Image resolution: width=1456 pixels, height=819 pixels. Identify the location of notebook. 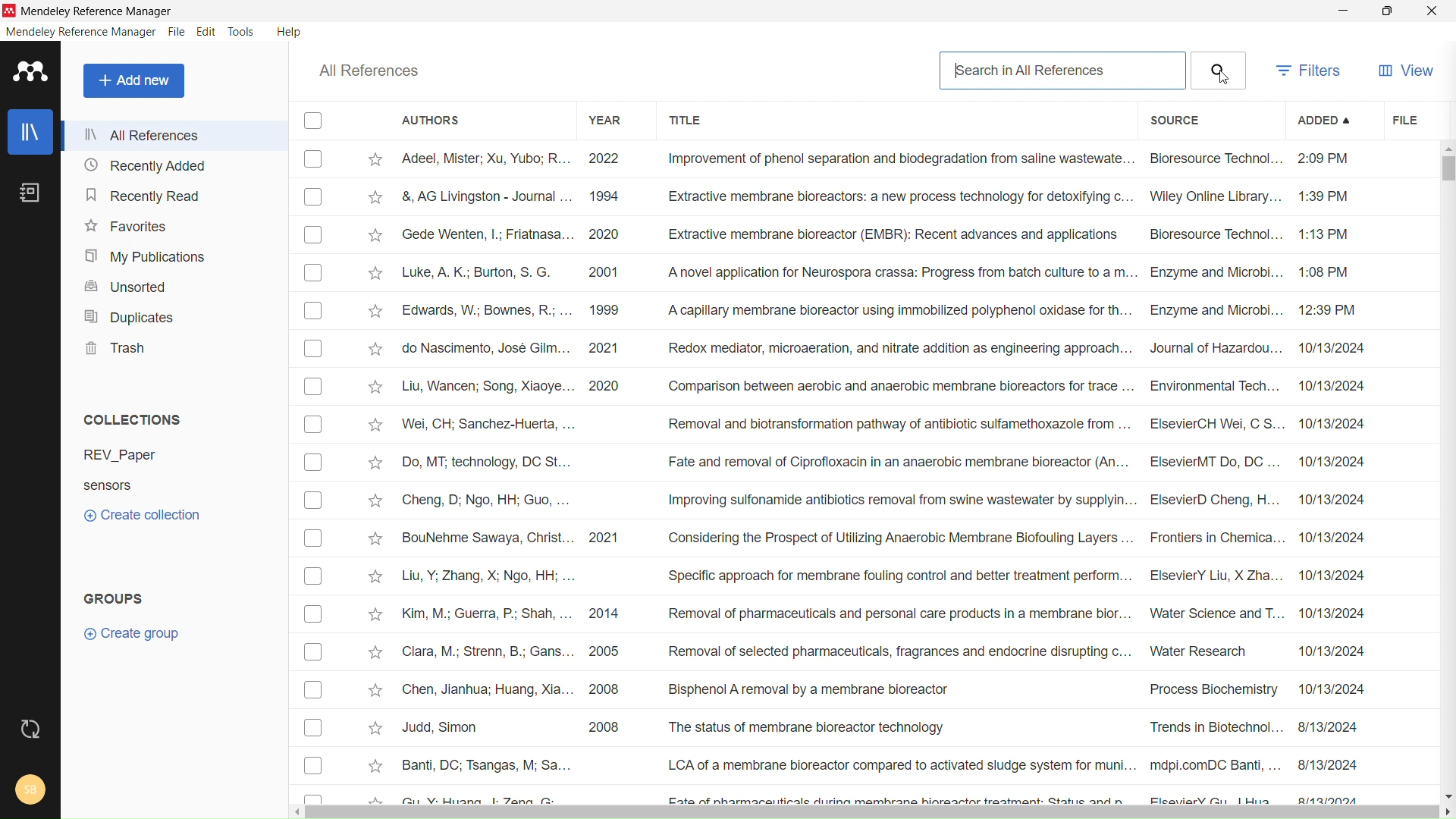
(30, 193).